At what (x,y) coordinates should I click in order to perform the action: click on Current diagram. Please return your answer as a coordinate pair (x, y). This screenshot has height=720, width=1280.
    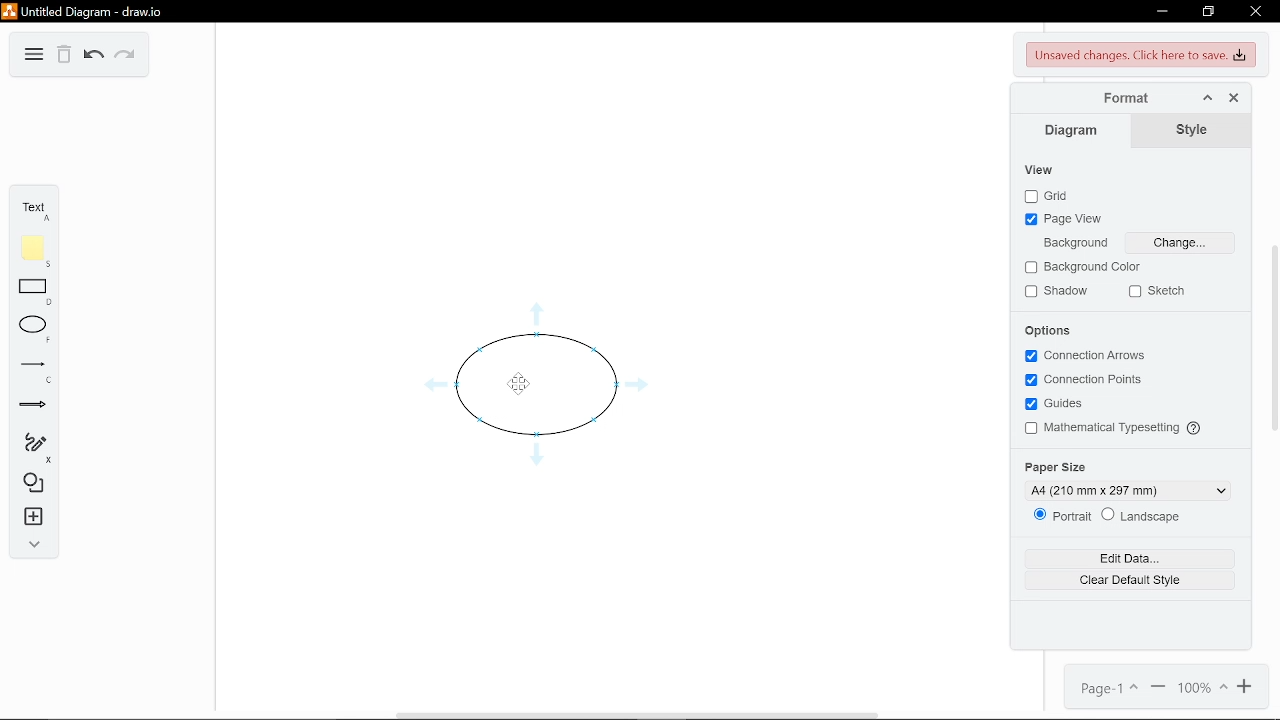
    Looking at the image, I should click on (538, 391).